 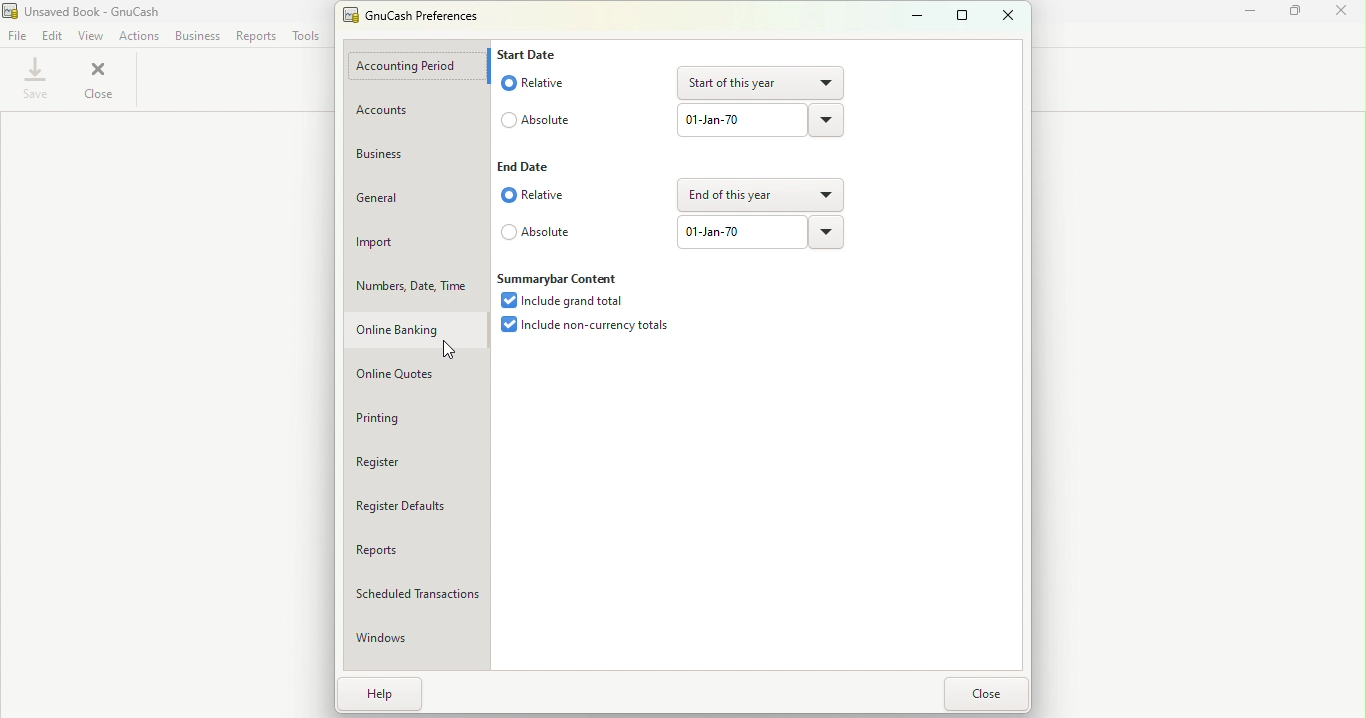 I want to click on close, so click(x=984, y=694).